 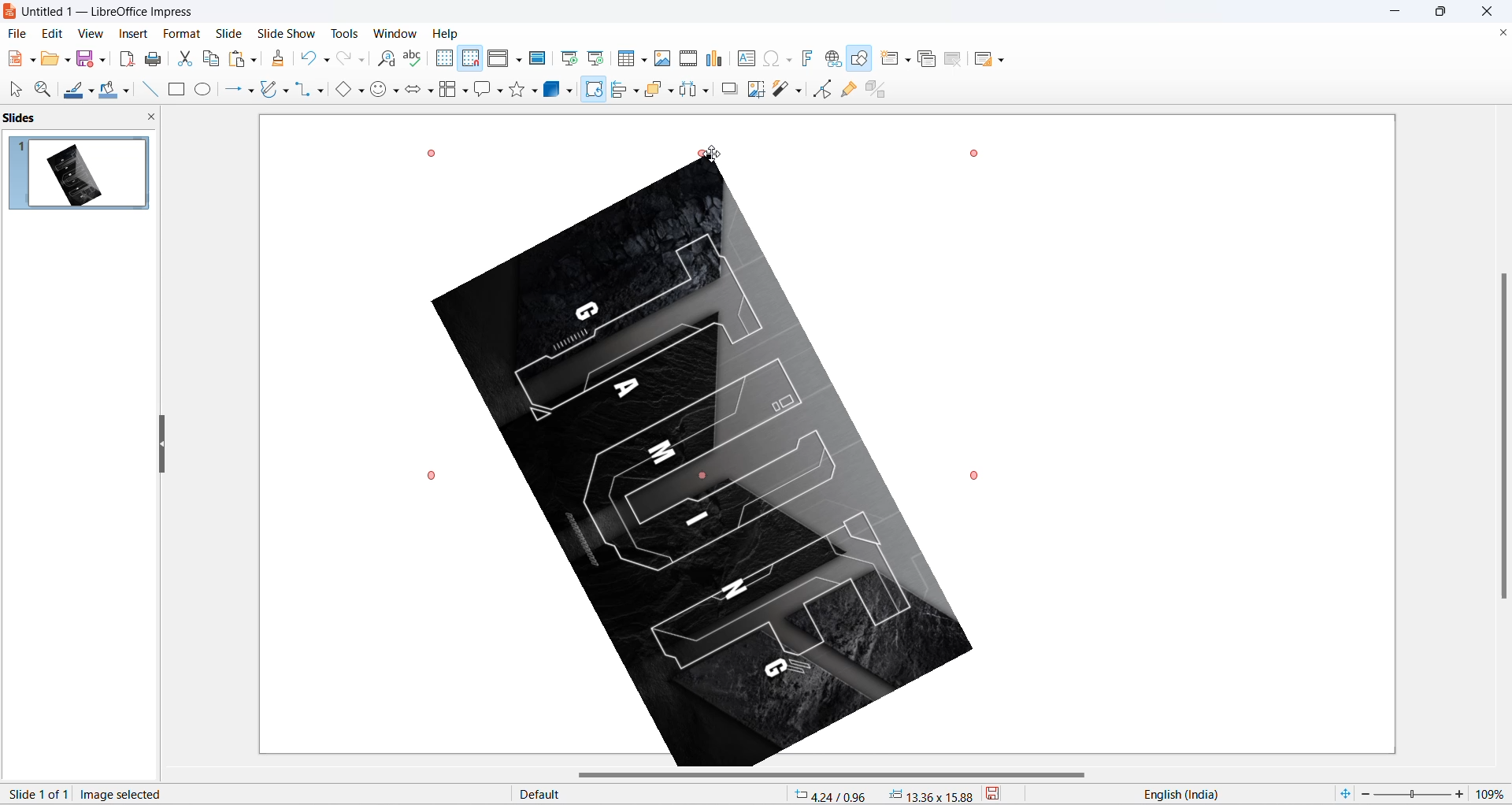 I want to click on snap to grid, so click(x=470, y=60).